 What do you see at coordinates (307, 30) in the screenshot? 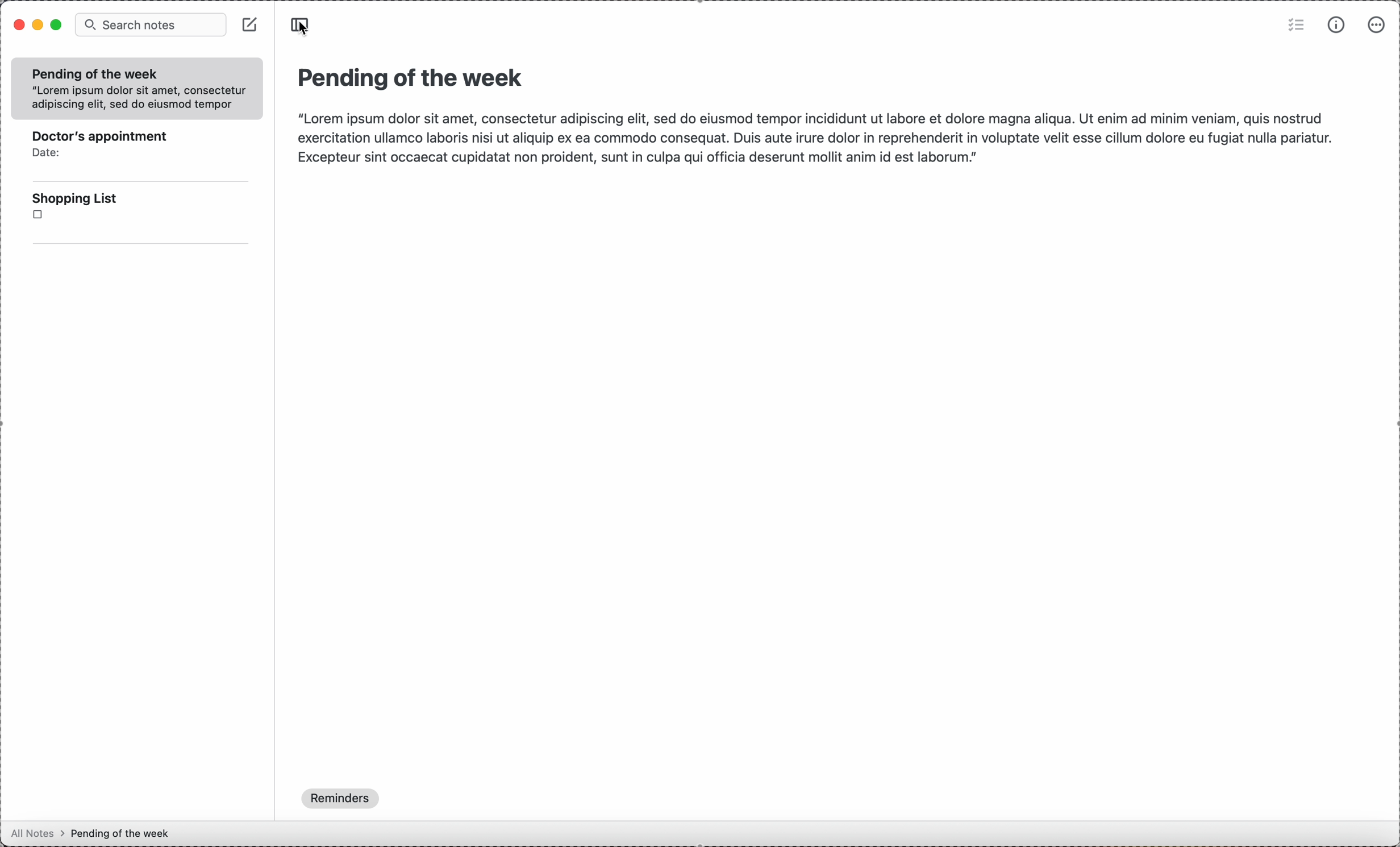
I see `cursor` at bounding box center [307, 30].